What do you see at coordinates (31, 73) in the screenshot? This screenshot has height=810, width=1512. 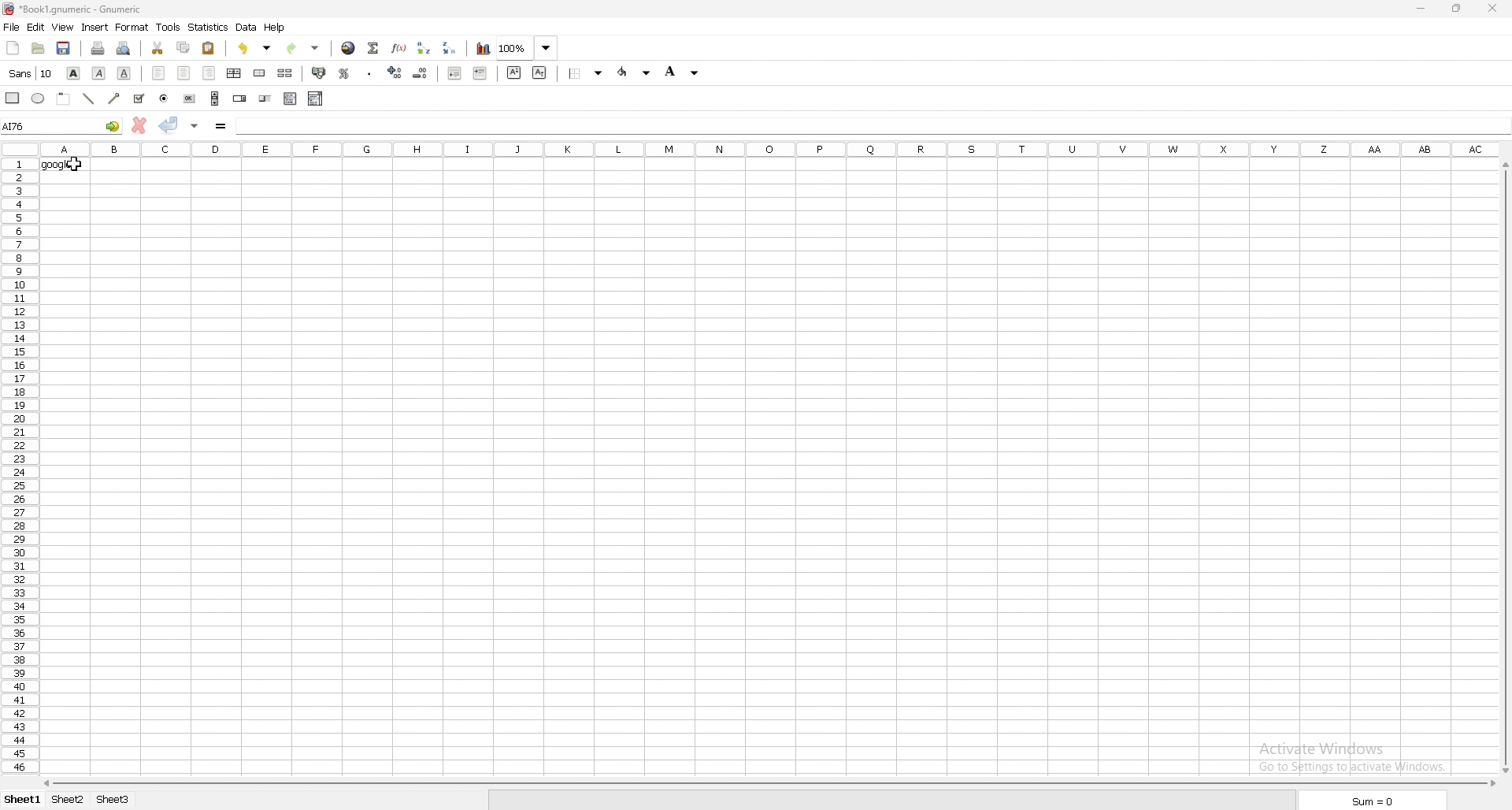 I see `font` at bounding box center [31, 73].